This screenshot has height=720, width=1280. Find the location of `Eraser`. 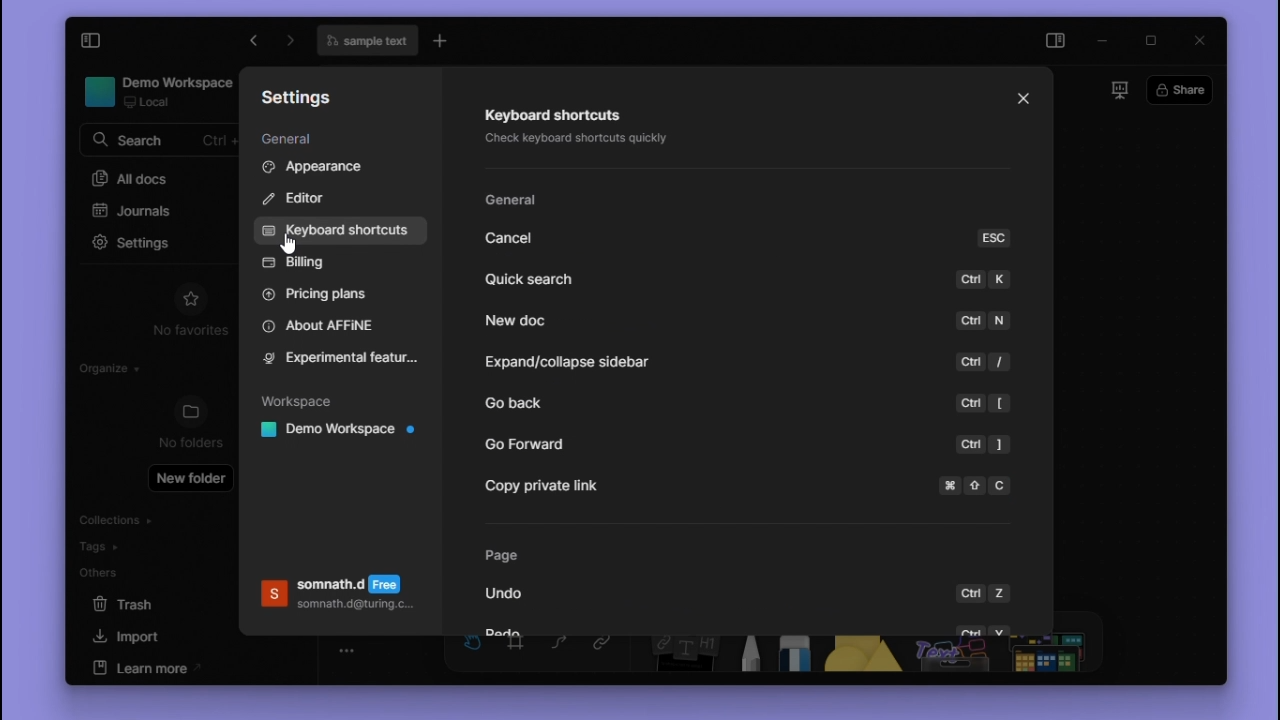

Eraser is located at coordinates (793, 656).